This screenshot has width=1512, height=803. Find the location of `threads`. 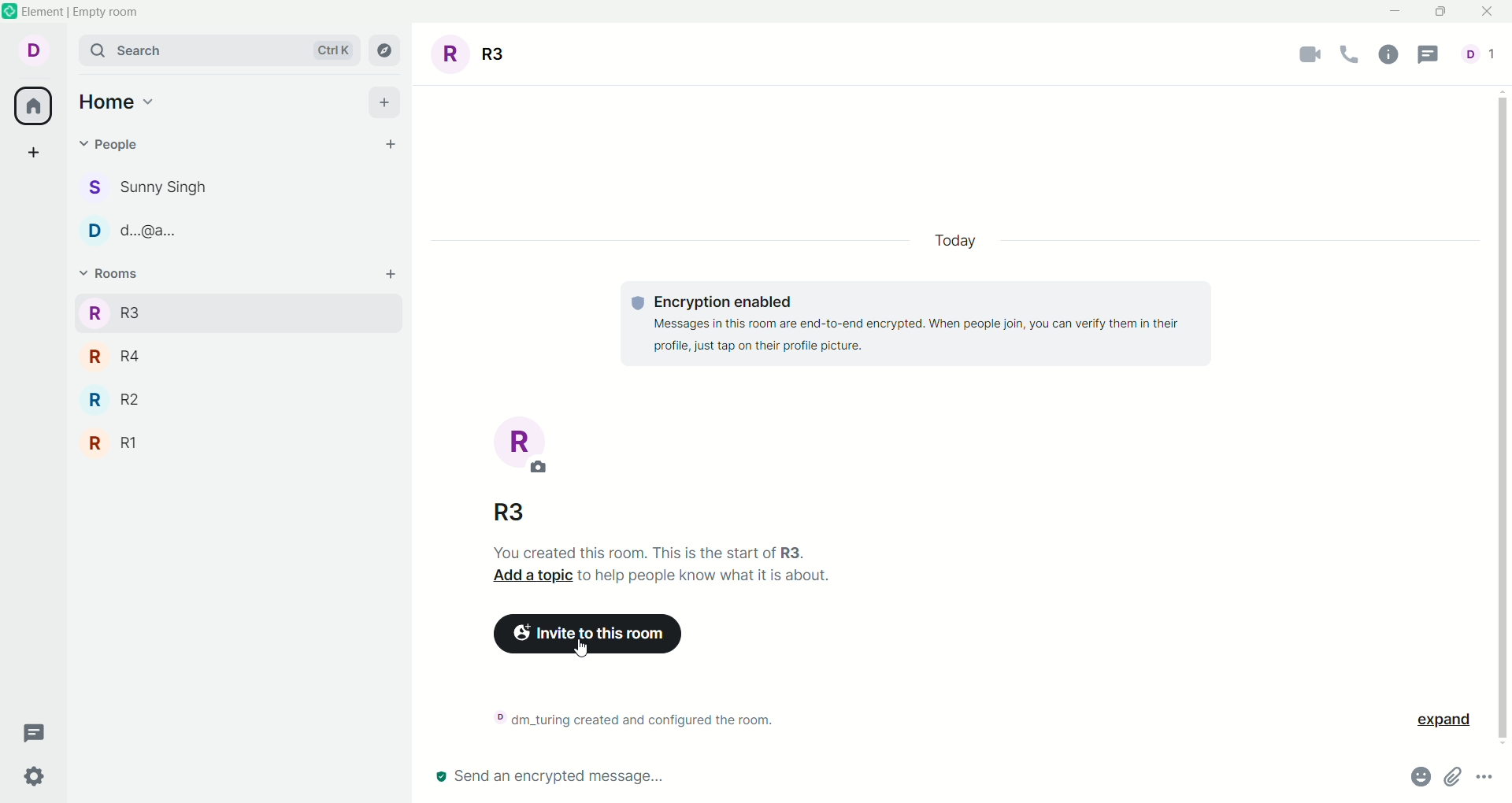

threads is located at coordinates (1432, 54).